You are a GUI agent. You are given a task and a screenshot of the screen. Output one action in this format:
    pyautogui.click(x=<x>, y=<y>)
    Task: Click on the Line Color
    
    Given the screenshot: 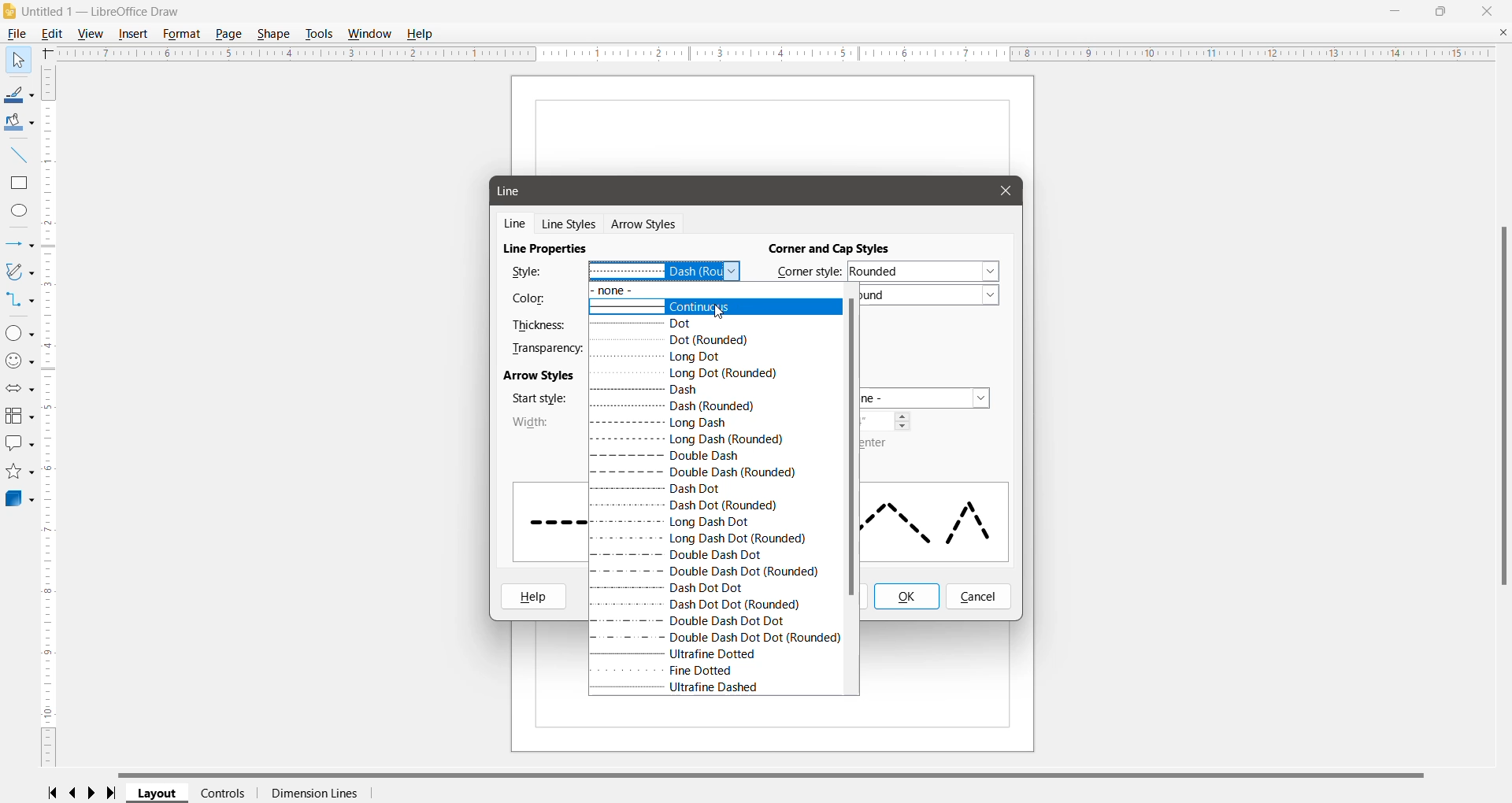 What is the action you would take?
    pyautogui.click(x=20, y=95)
    